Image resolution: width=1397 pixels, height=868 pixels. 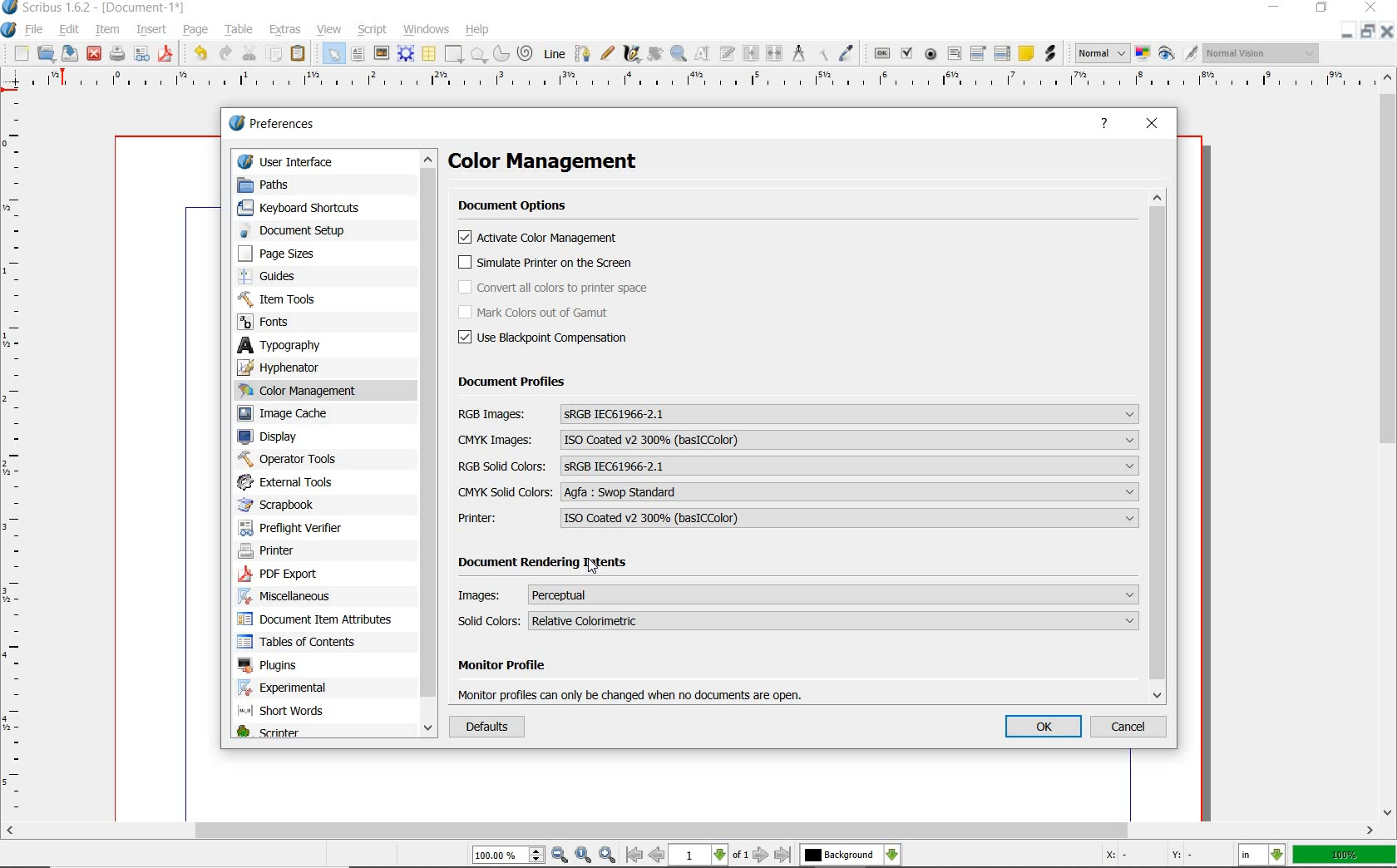 What do you see at coordinates (294, 185) in the screenshot?
I see `paths` at bounding box center [294, 185].